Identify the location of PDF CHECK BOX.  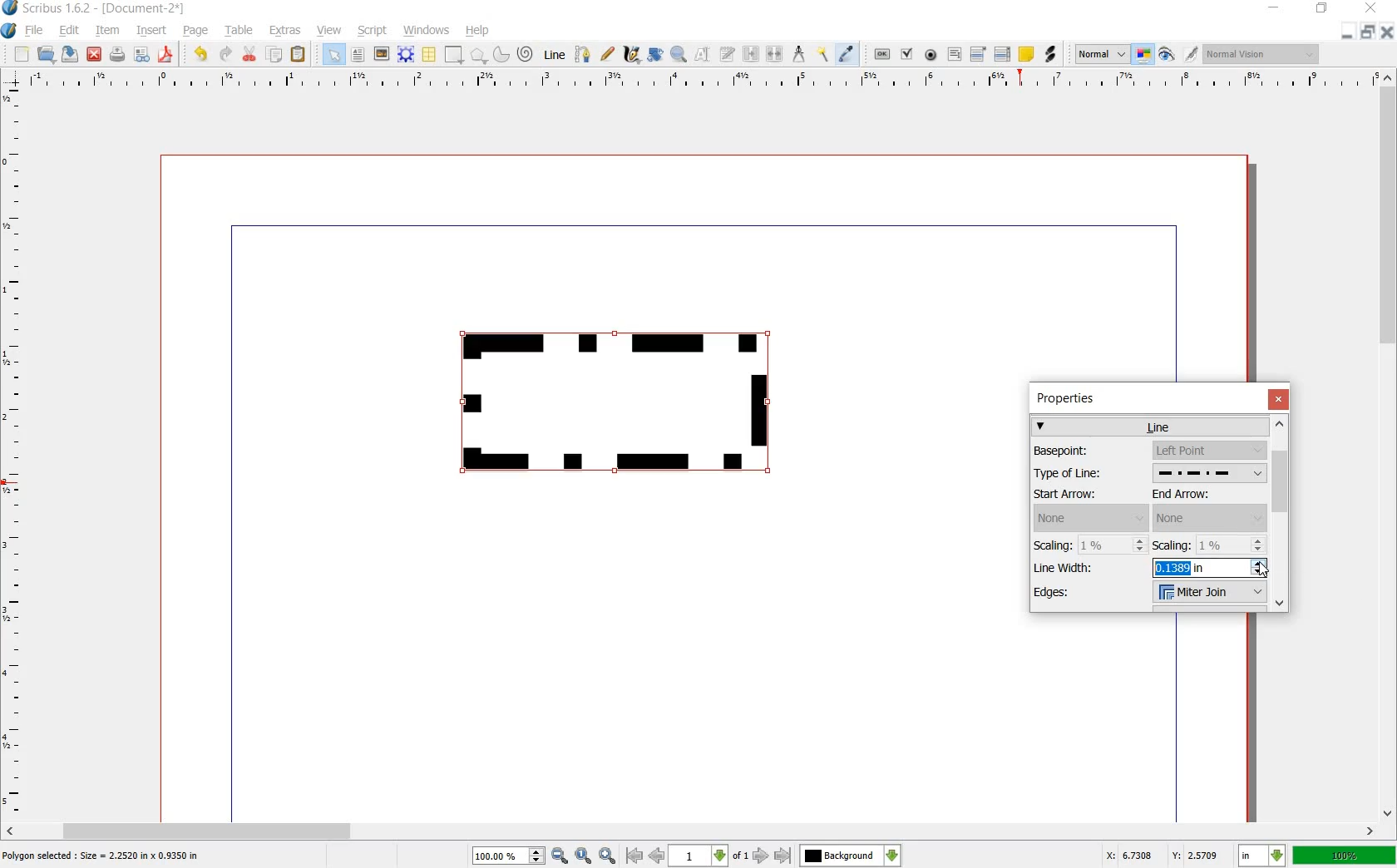
(907, 54).